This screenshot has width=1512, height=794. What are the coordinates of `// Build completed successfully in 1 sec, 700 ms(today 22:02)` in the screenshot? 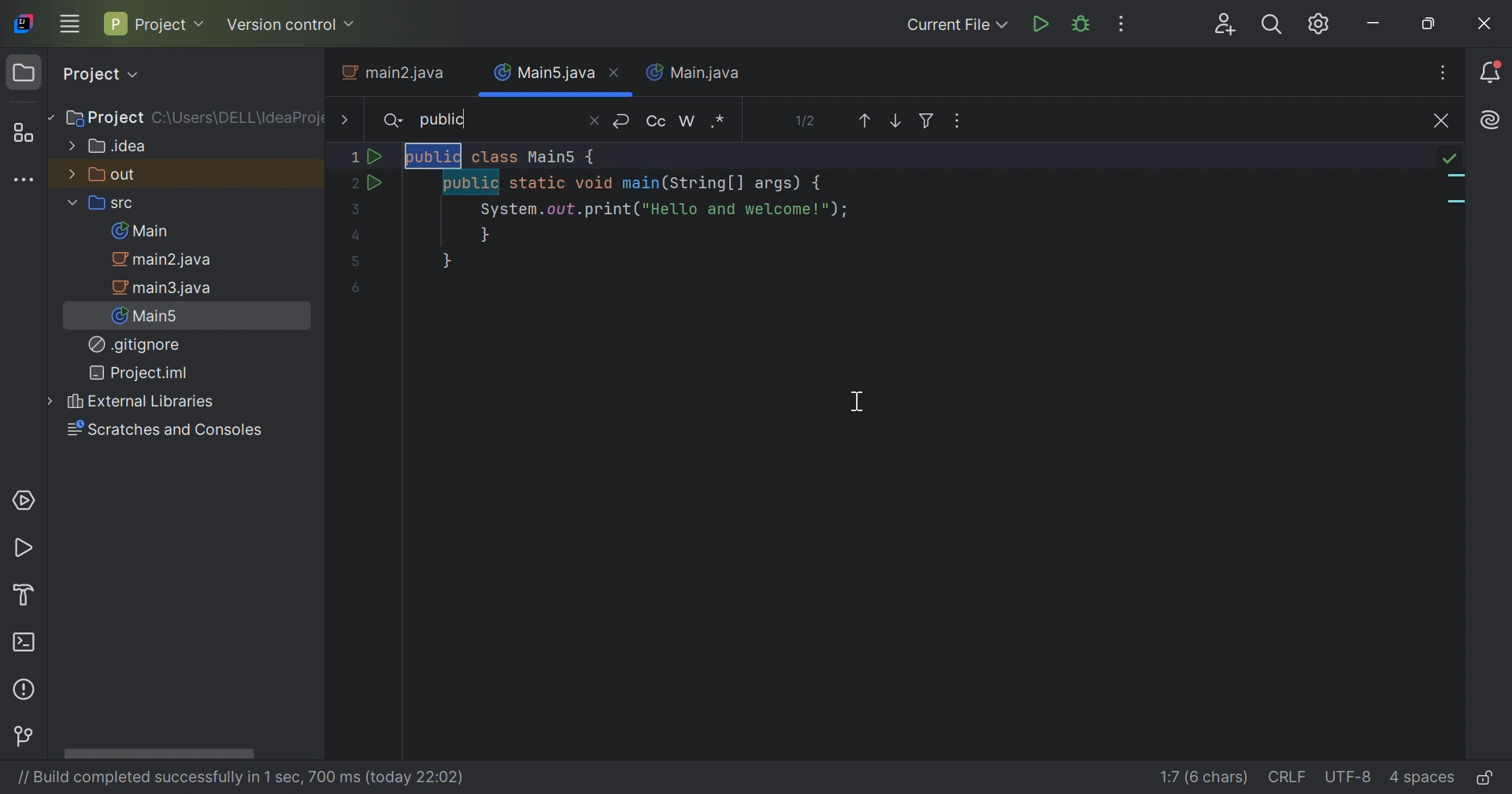 It's located at (237, 777).